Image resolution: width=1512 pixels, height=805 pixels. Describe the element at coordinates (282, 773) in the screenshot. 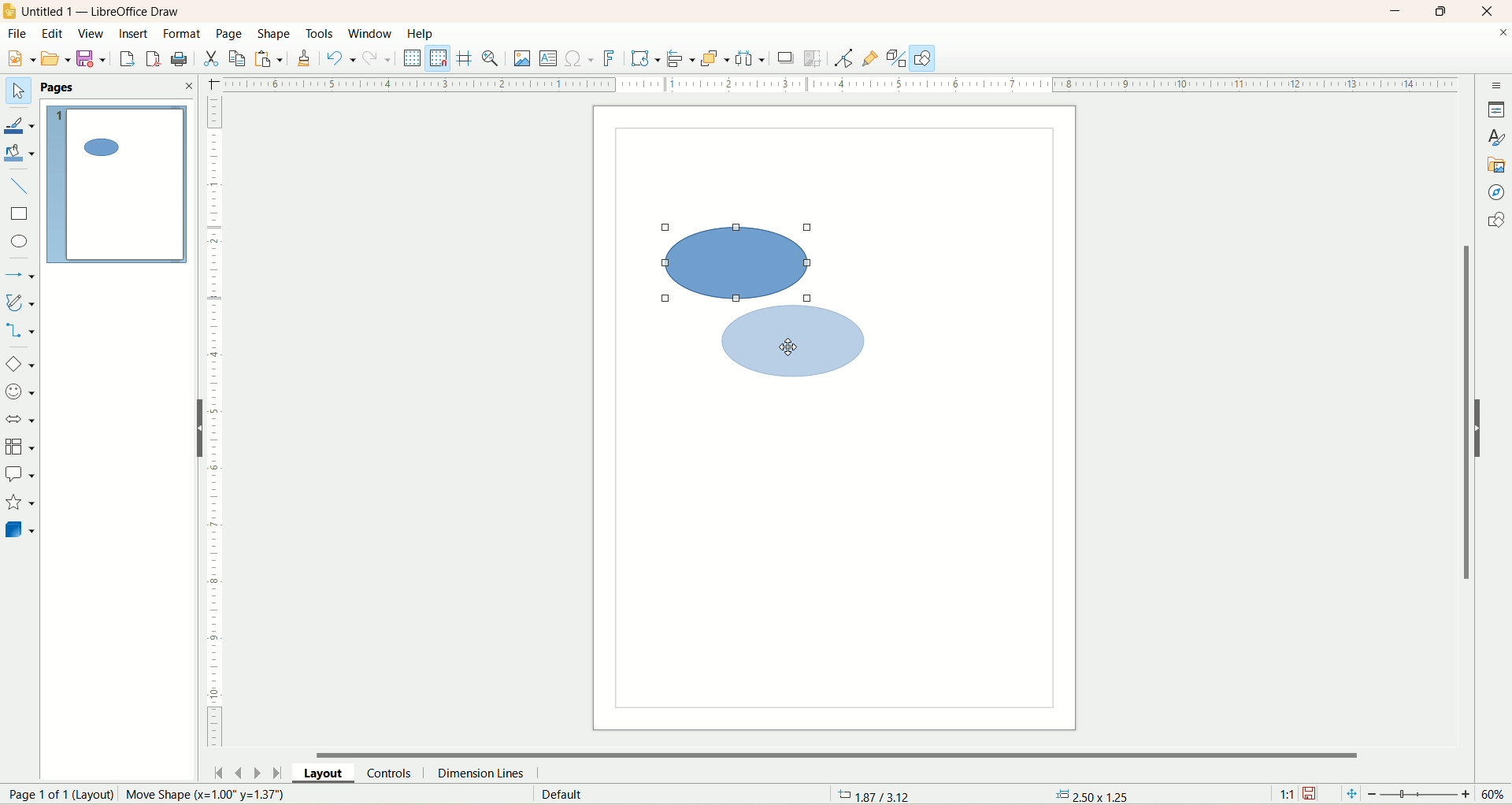

I see `last page` at that location.